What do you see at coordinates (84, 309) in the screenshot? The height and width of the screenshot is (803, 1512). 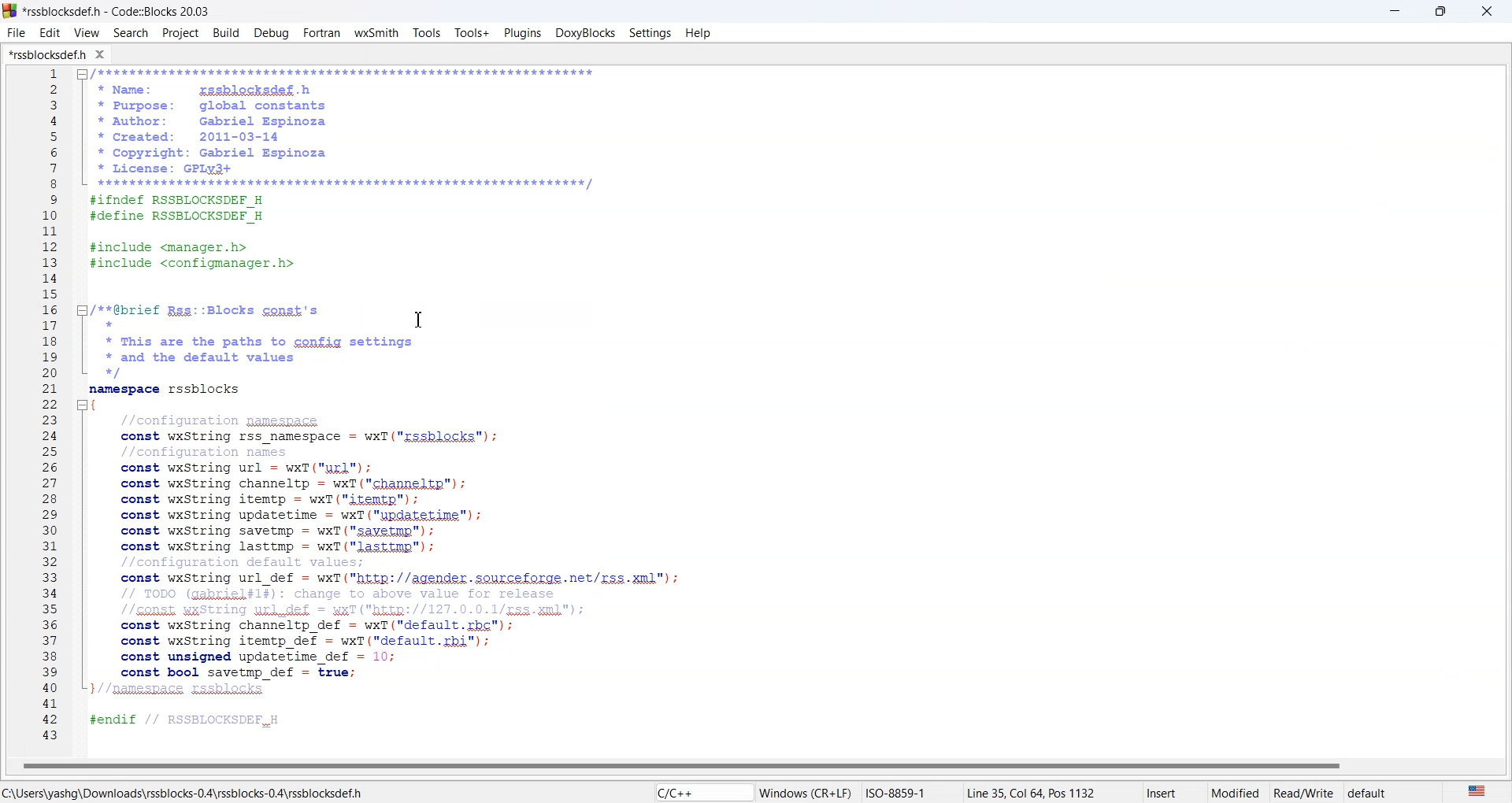 I see `minimize` at bounding box center [84, 309].